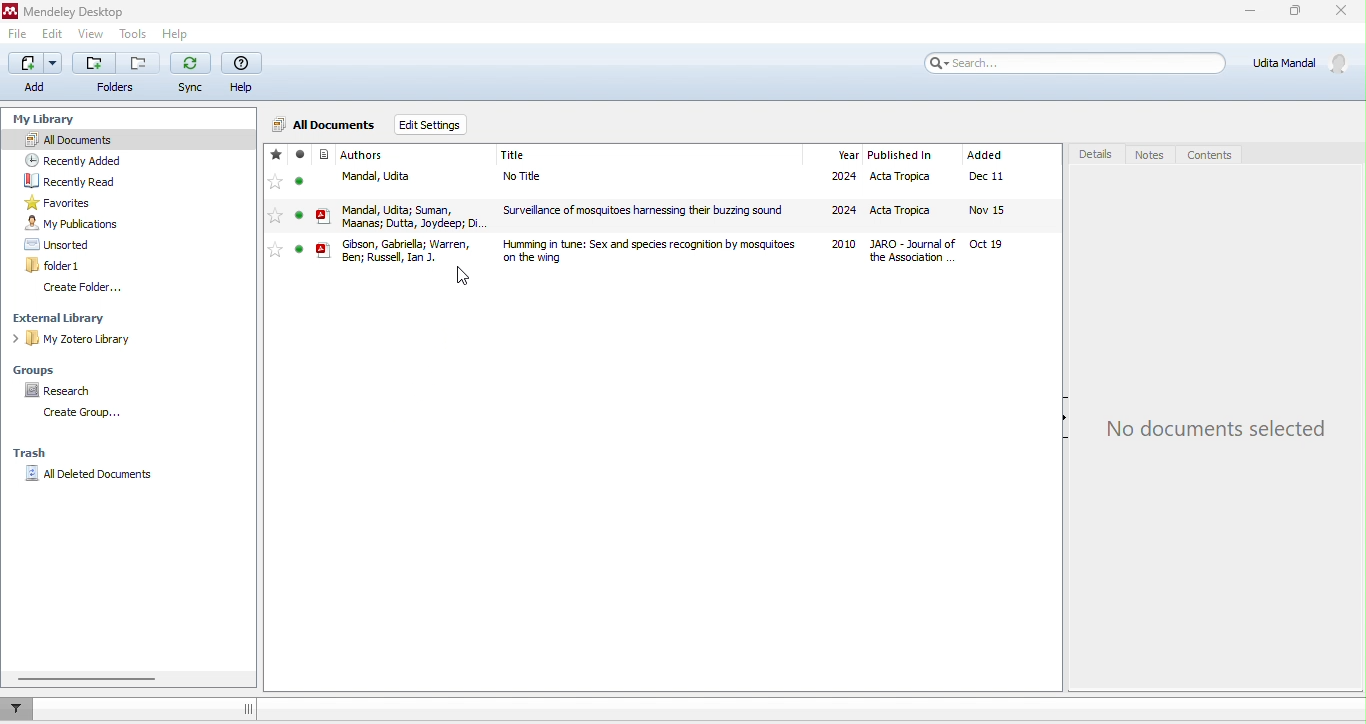 The height and width of the screenshot is (724, 1366). I want to click on favourites, so click(274, 206).